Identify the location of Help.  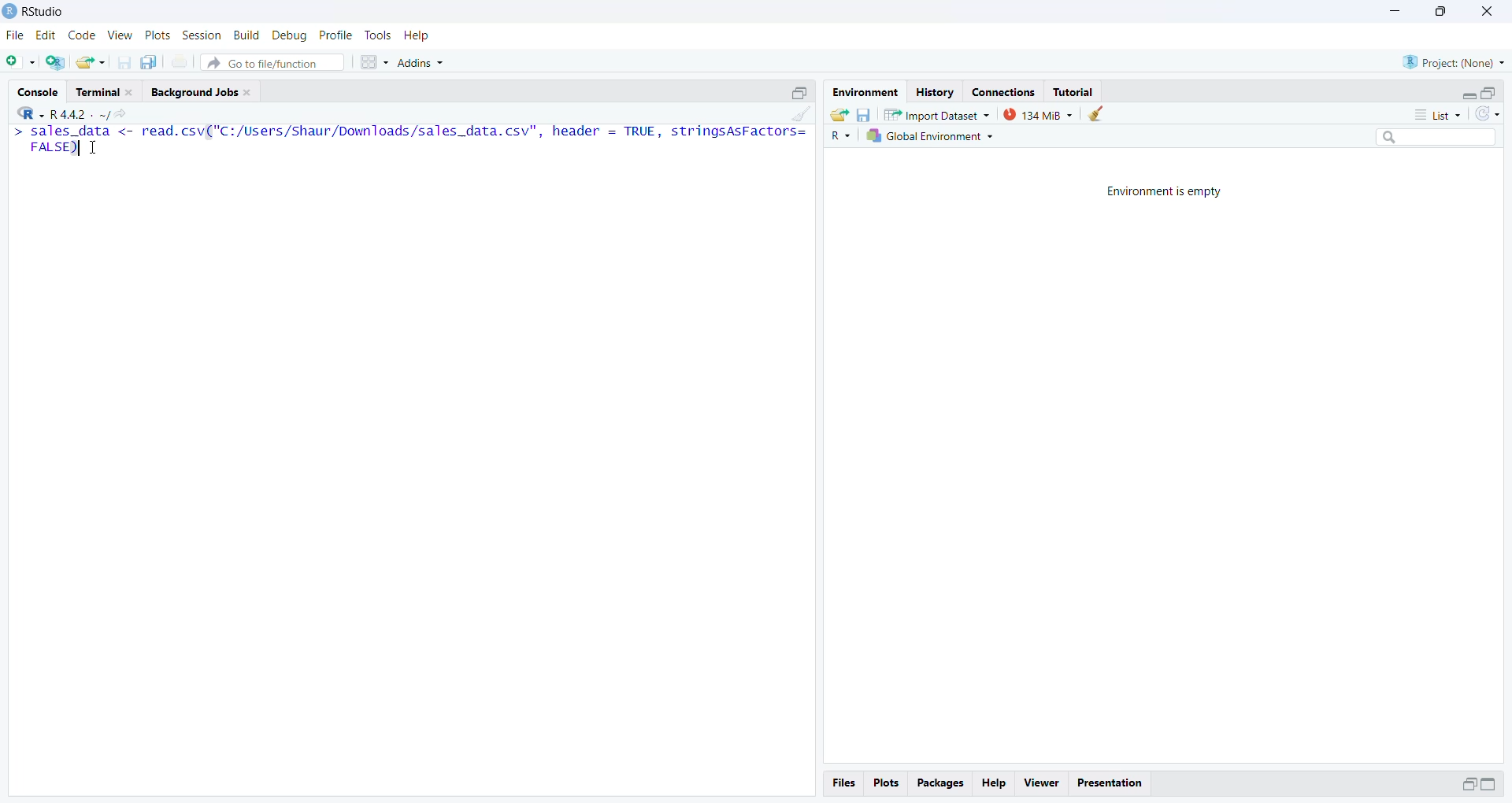
(417, 35).